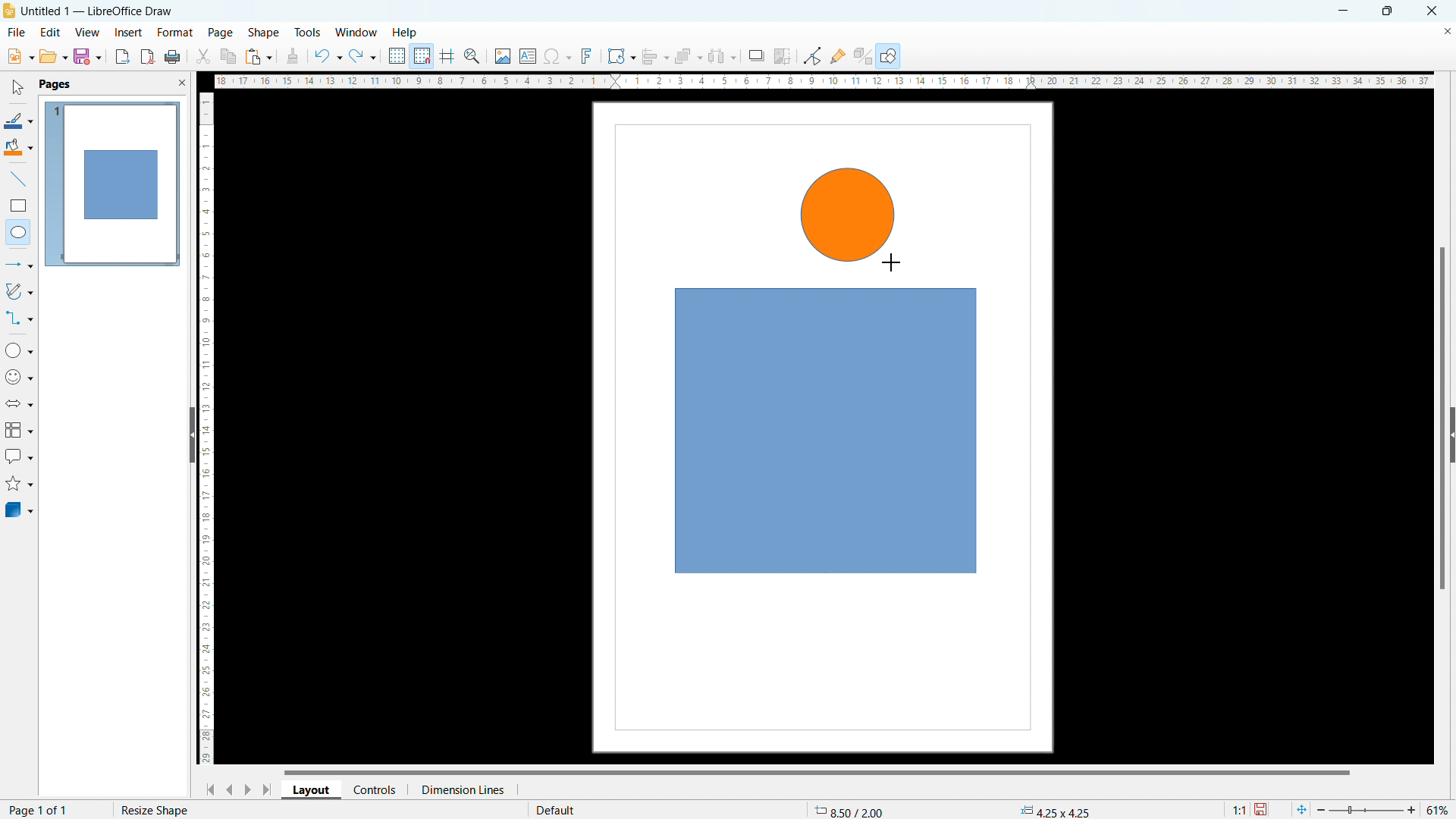  Describe the element at coordinates (54, 83) in the screenshot. I see `pages` at that location.